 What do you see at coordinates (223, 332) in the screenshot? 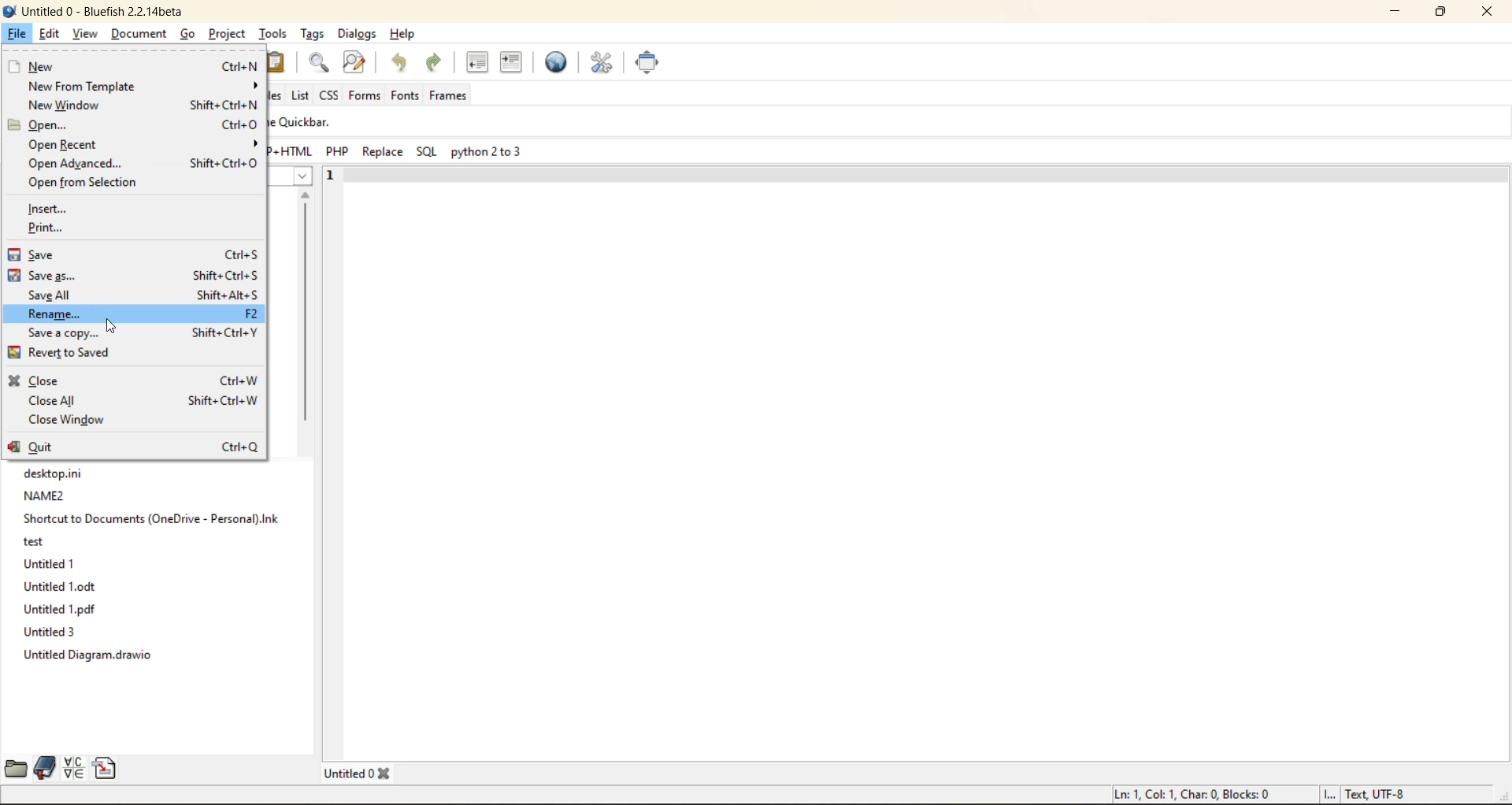
I see `Shifts Ctrl+Y` at bounding box center [223, 332].